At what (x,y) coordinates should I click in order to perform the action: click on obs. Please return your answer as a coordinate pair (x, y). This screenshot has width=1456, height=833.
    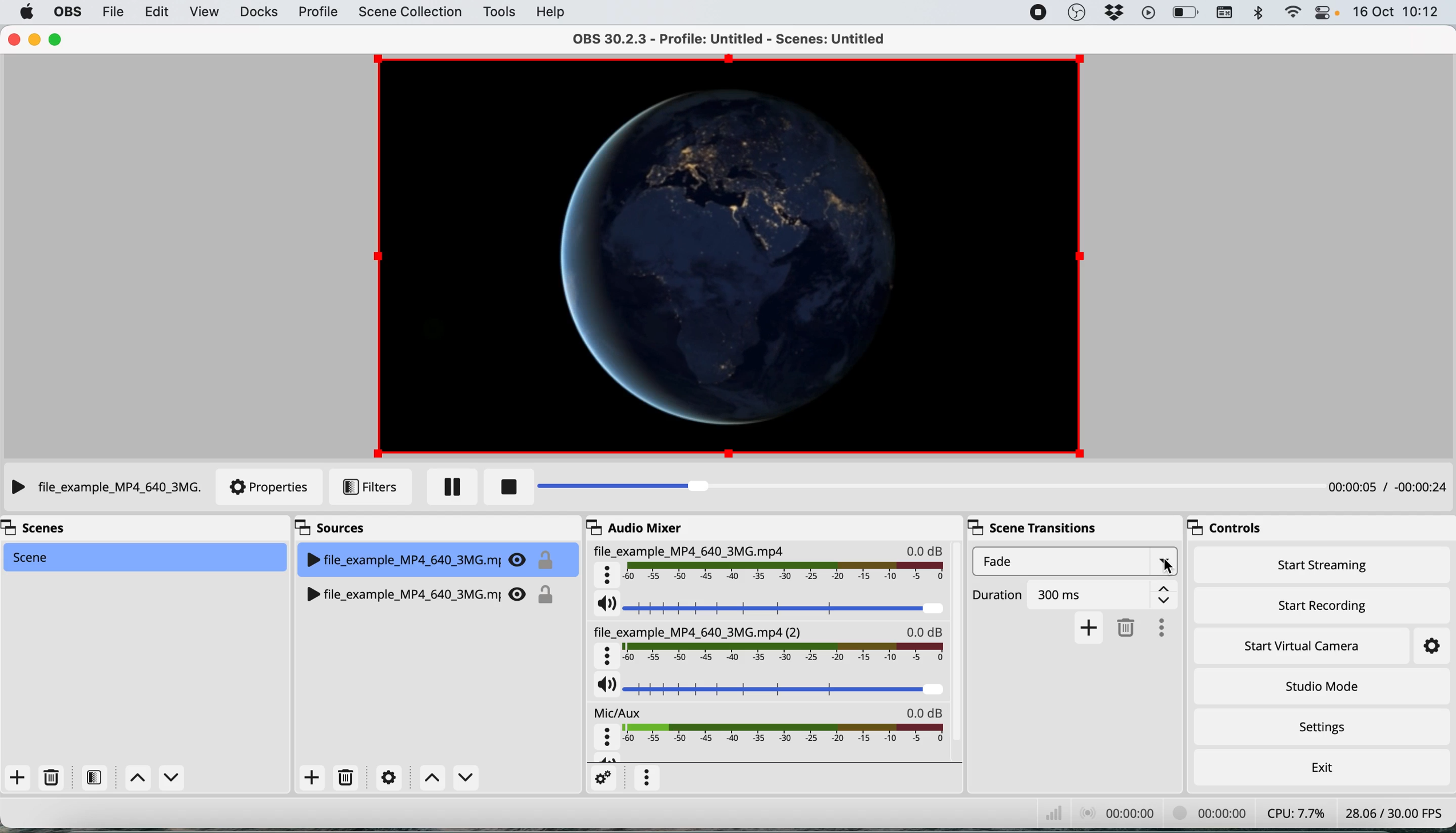
    Looking at the image, I should click on (67, 11).